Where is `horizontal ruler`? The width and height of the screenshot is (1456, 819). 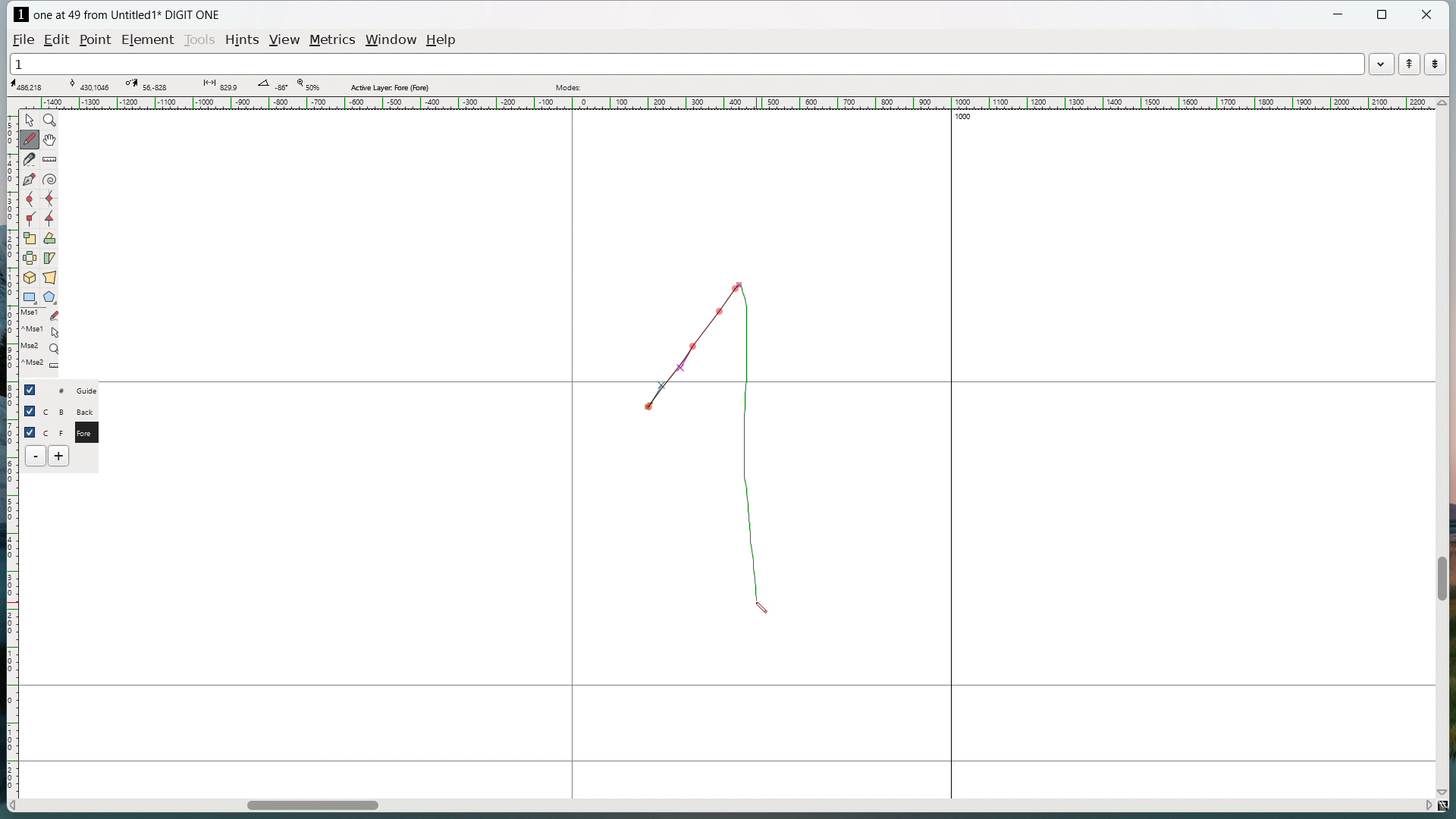
horizontal ruler is located at coordinates (725, 103).